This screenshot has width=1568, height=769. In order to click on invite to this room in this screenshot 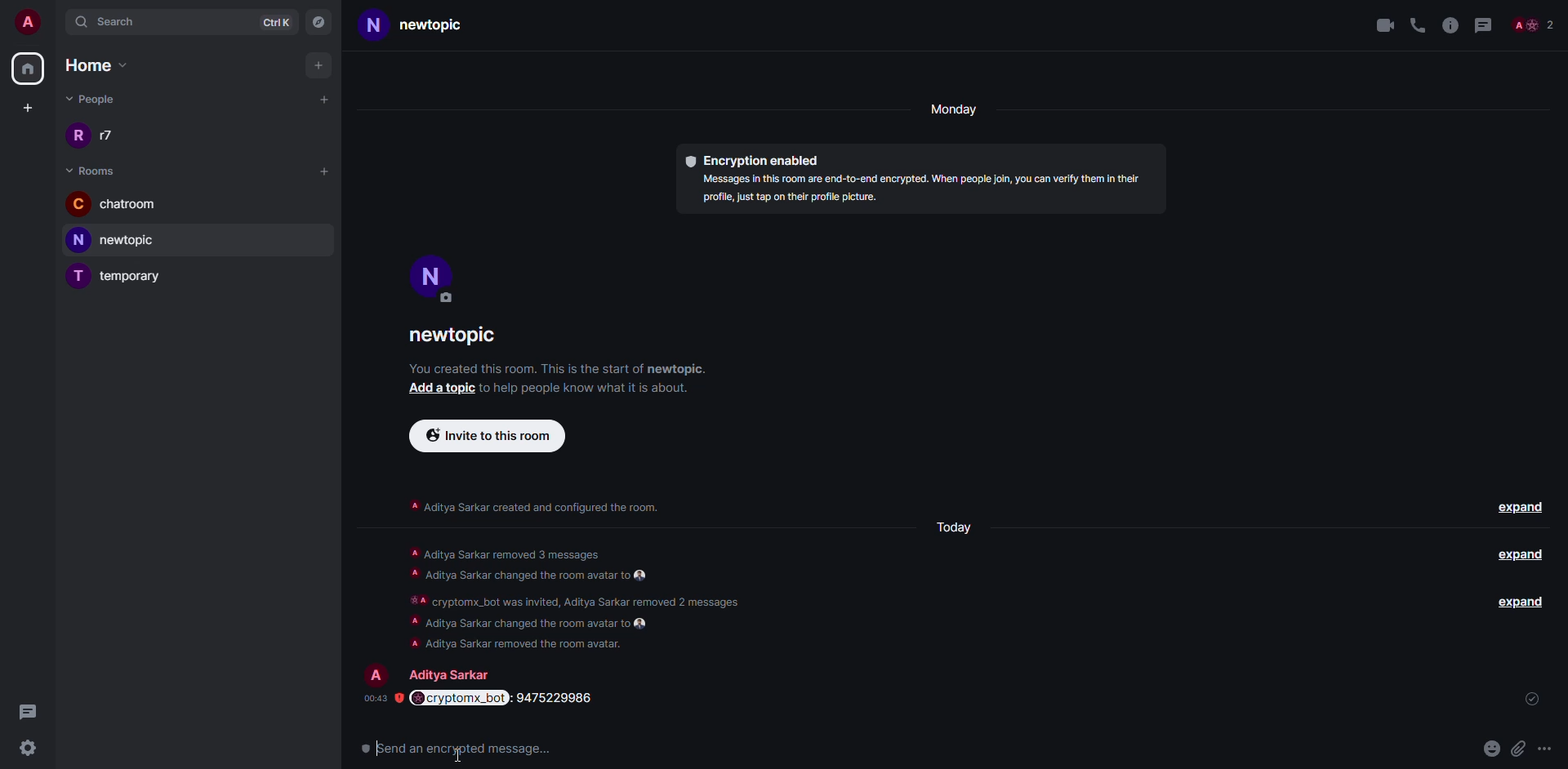, I will do `click(488, 435)`.